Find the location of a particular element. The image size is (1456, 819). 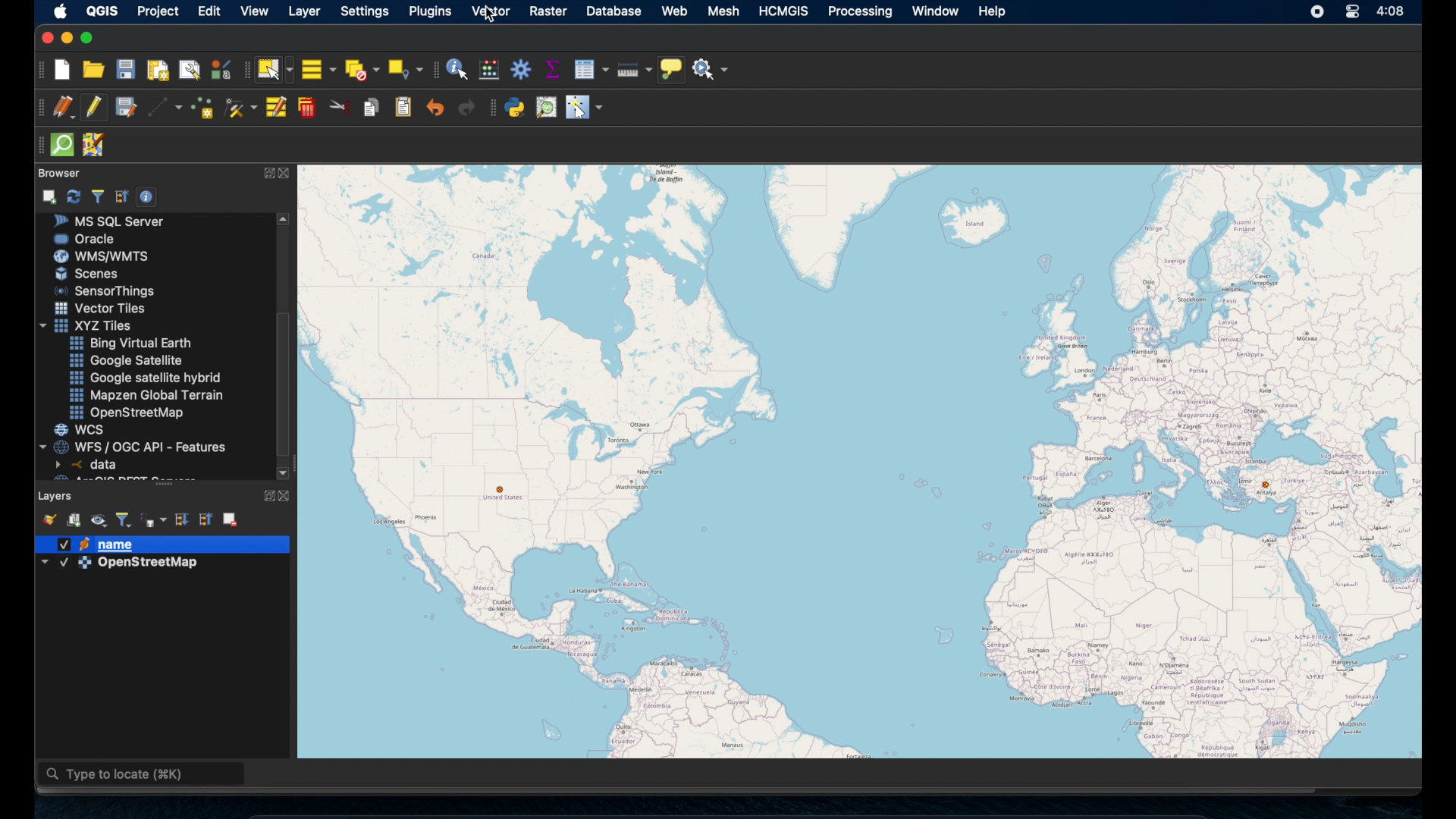

expand is located at coordinates (267, 172).